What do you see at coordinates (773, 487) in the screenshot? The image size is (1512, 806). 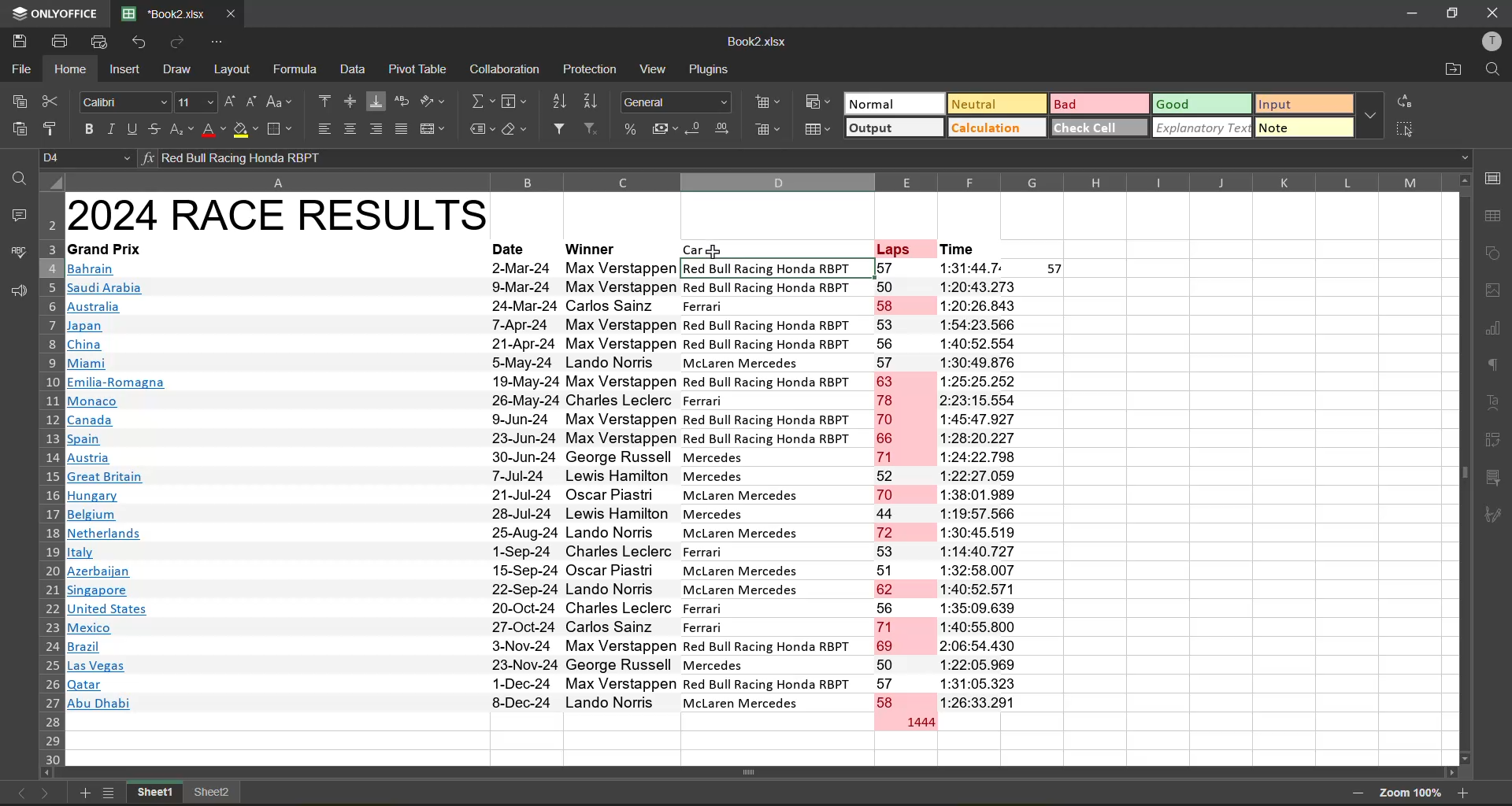 I see `Car names` at bounding box center [773, 487].